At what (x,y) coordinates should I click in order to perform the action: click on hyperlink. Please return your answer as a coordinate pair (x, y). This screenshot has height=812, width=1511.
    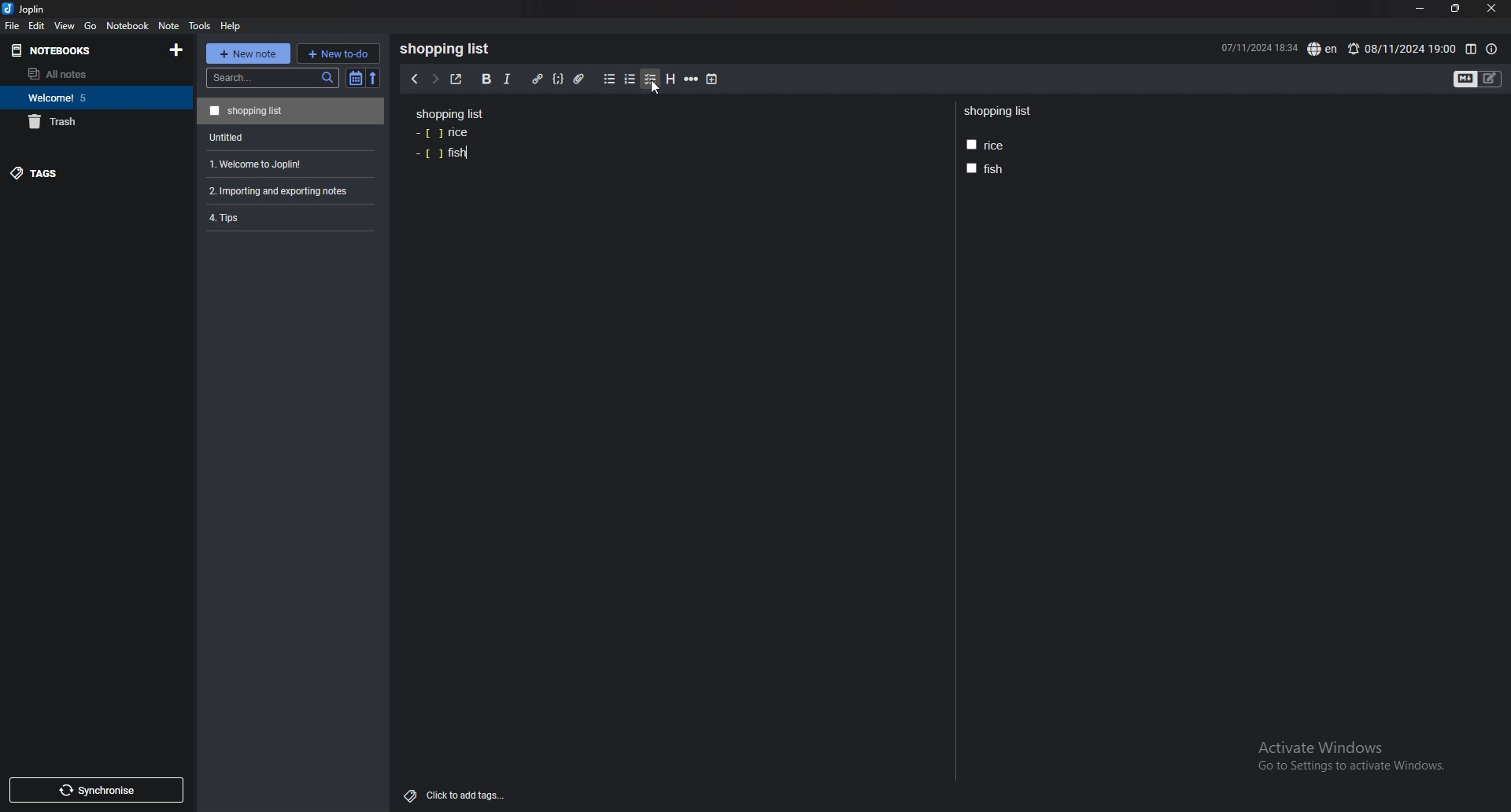
    Looking at the image, I should click on (538, 79).